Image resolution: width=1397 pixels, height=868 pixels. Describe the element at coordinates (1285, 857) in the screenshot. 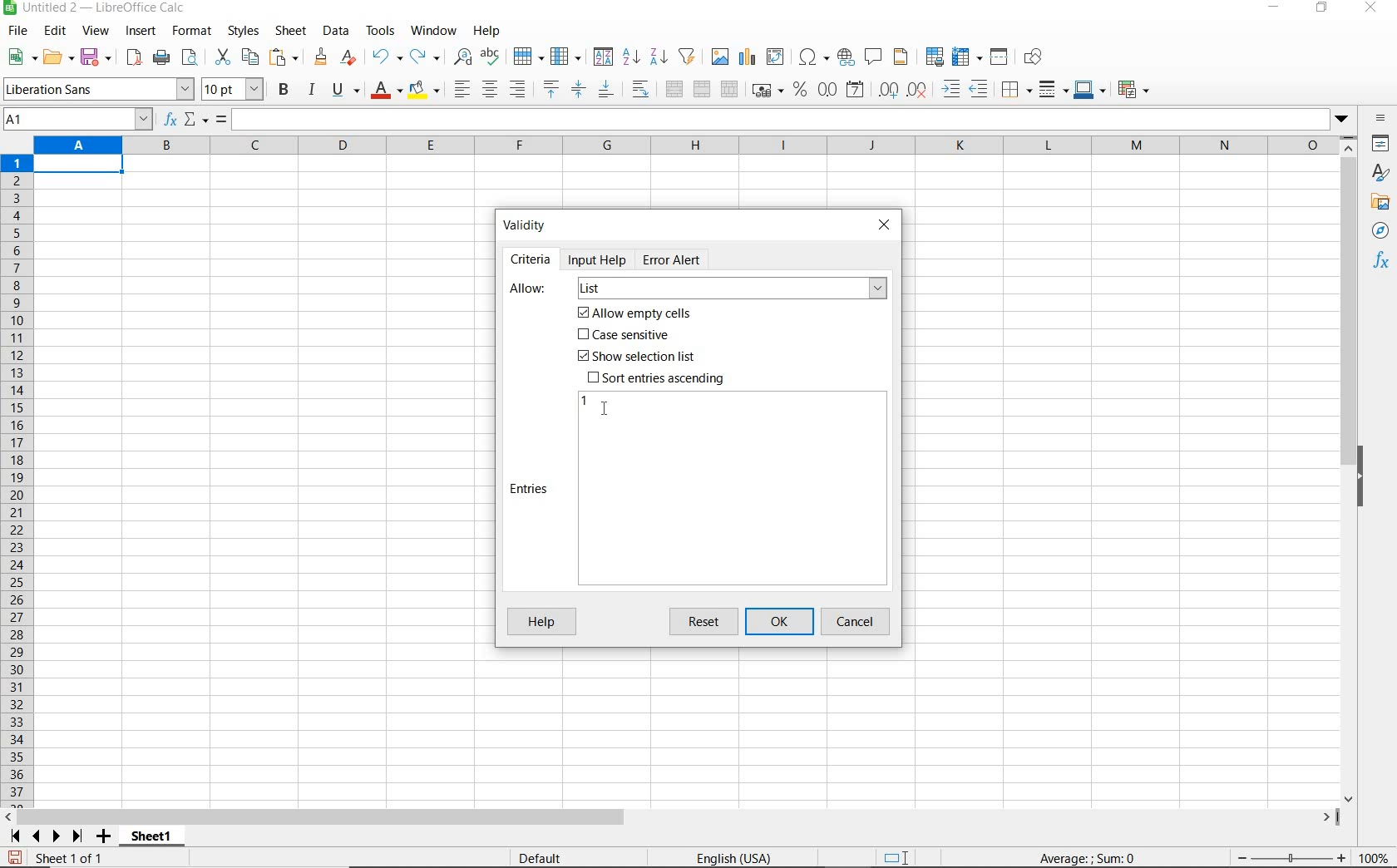

I see `zoom out or zoom in` at that location.